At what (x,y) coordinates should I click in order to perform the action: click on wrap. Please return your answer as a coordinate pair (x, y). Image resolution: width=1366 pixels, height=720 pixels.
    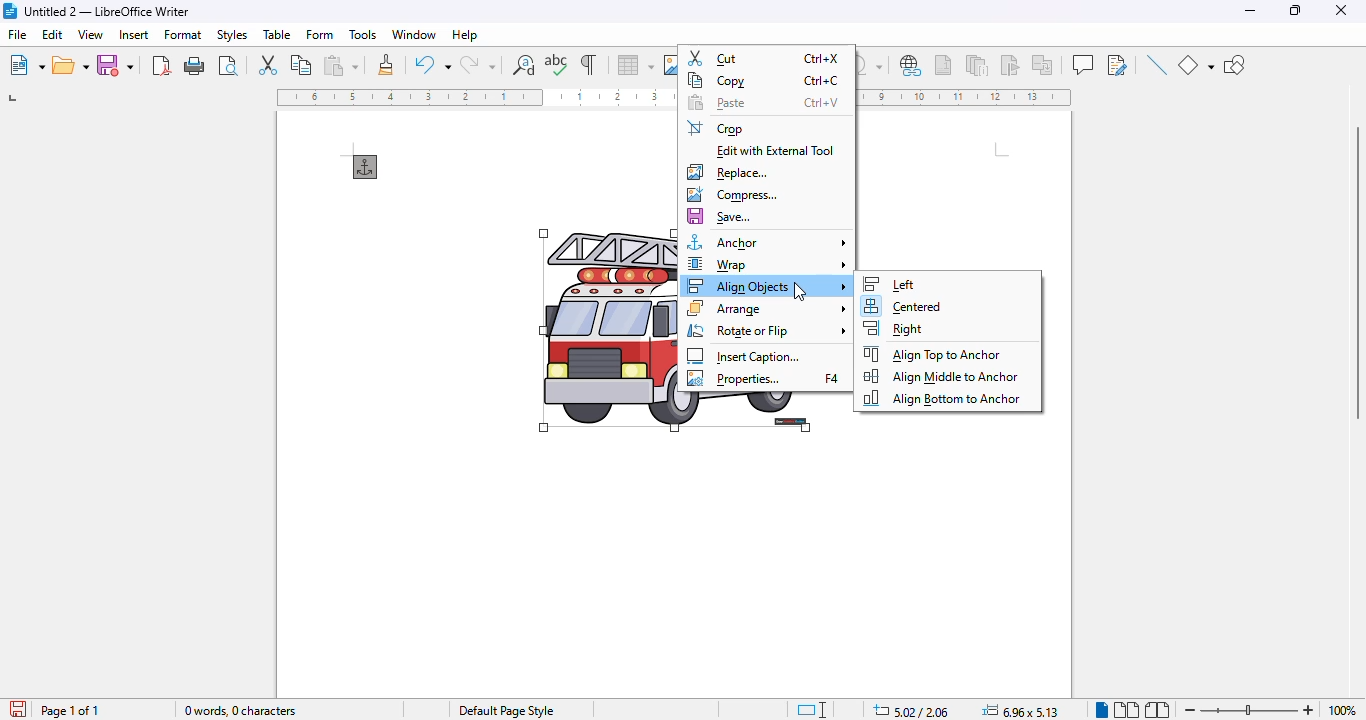
    Looking at the image, I should click on (767, 264).